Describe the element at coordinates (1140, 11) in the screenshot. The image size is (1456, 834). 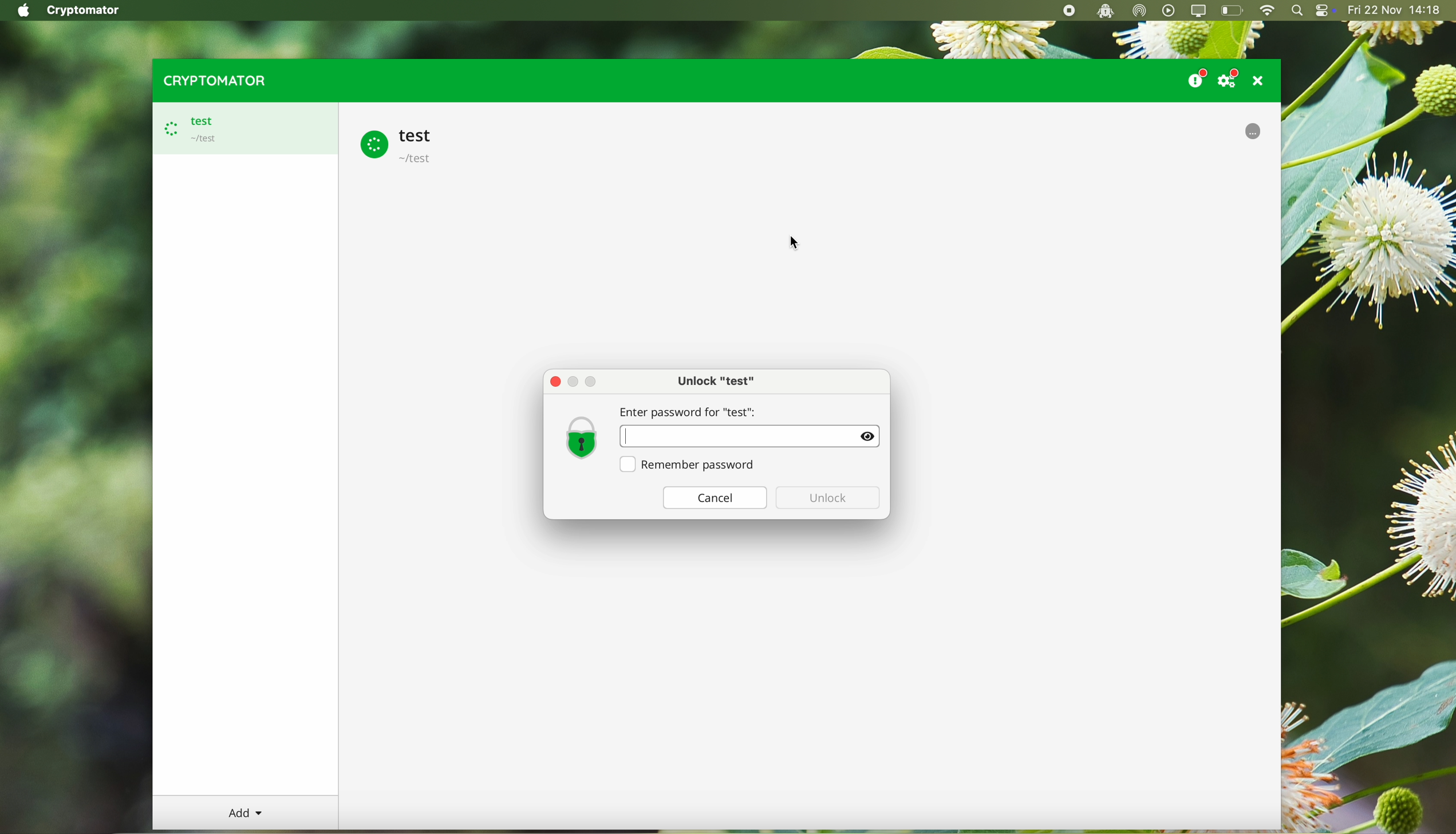
I see `airdrop` at that location.